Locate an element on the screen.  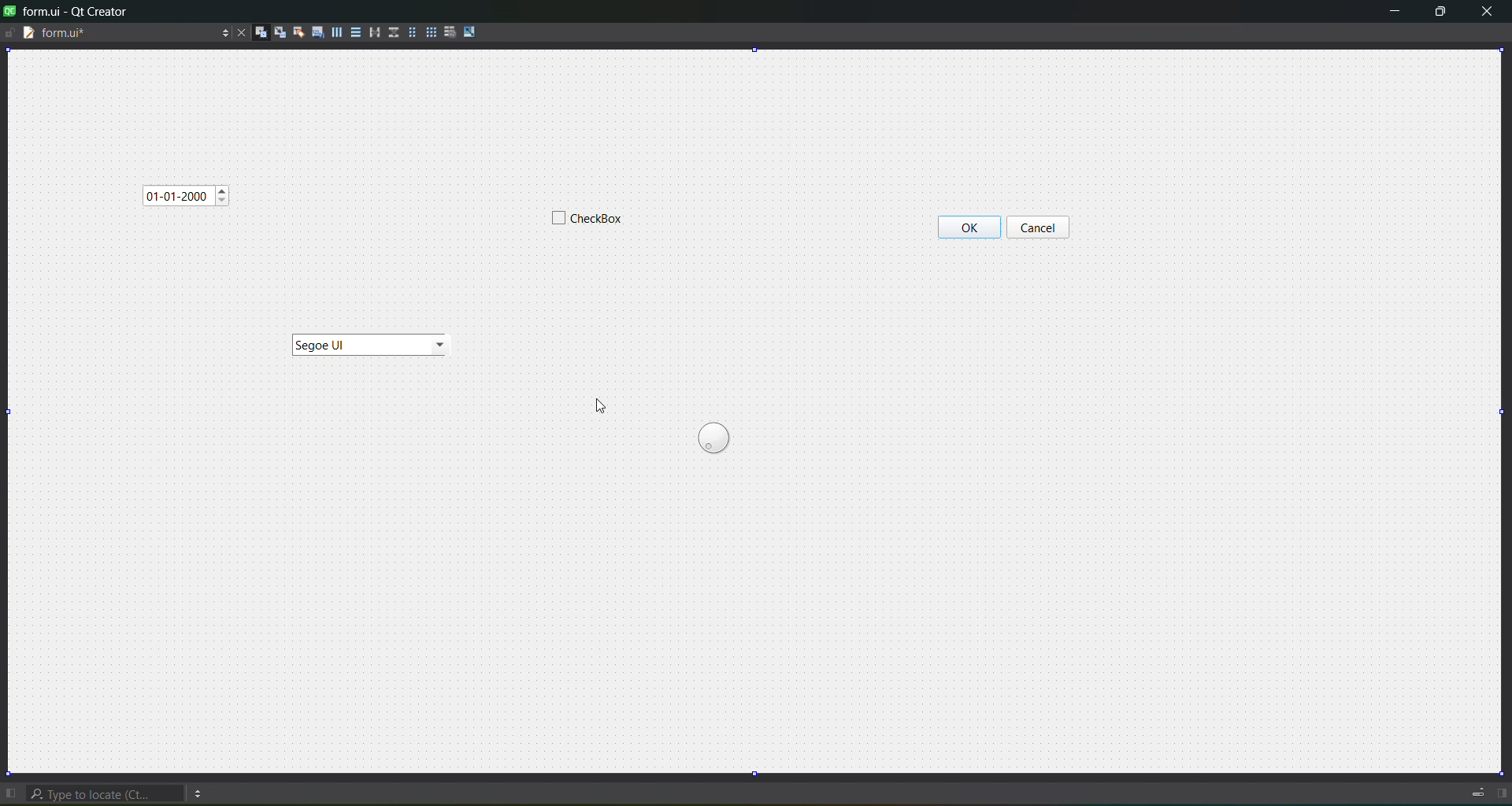
layout in a form is located at coordinates (409, 33).